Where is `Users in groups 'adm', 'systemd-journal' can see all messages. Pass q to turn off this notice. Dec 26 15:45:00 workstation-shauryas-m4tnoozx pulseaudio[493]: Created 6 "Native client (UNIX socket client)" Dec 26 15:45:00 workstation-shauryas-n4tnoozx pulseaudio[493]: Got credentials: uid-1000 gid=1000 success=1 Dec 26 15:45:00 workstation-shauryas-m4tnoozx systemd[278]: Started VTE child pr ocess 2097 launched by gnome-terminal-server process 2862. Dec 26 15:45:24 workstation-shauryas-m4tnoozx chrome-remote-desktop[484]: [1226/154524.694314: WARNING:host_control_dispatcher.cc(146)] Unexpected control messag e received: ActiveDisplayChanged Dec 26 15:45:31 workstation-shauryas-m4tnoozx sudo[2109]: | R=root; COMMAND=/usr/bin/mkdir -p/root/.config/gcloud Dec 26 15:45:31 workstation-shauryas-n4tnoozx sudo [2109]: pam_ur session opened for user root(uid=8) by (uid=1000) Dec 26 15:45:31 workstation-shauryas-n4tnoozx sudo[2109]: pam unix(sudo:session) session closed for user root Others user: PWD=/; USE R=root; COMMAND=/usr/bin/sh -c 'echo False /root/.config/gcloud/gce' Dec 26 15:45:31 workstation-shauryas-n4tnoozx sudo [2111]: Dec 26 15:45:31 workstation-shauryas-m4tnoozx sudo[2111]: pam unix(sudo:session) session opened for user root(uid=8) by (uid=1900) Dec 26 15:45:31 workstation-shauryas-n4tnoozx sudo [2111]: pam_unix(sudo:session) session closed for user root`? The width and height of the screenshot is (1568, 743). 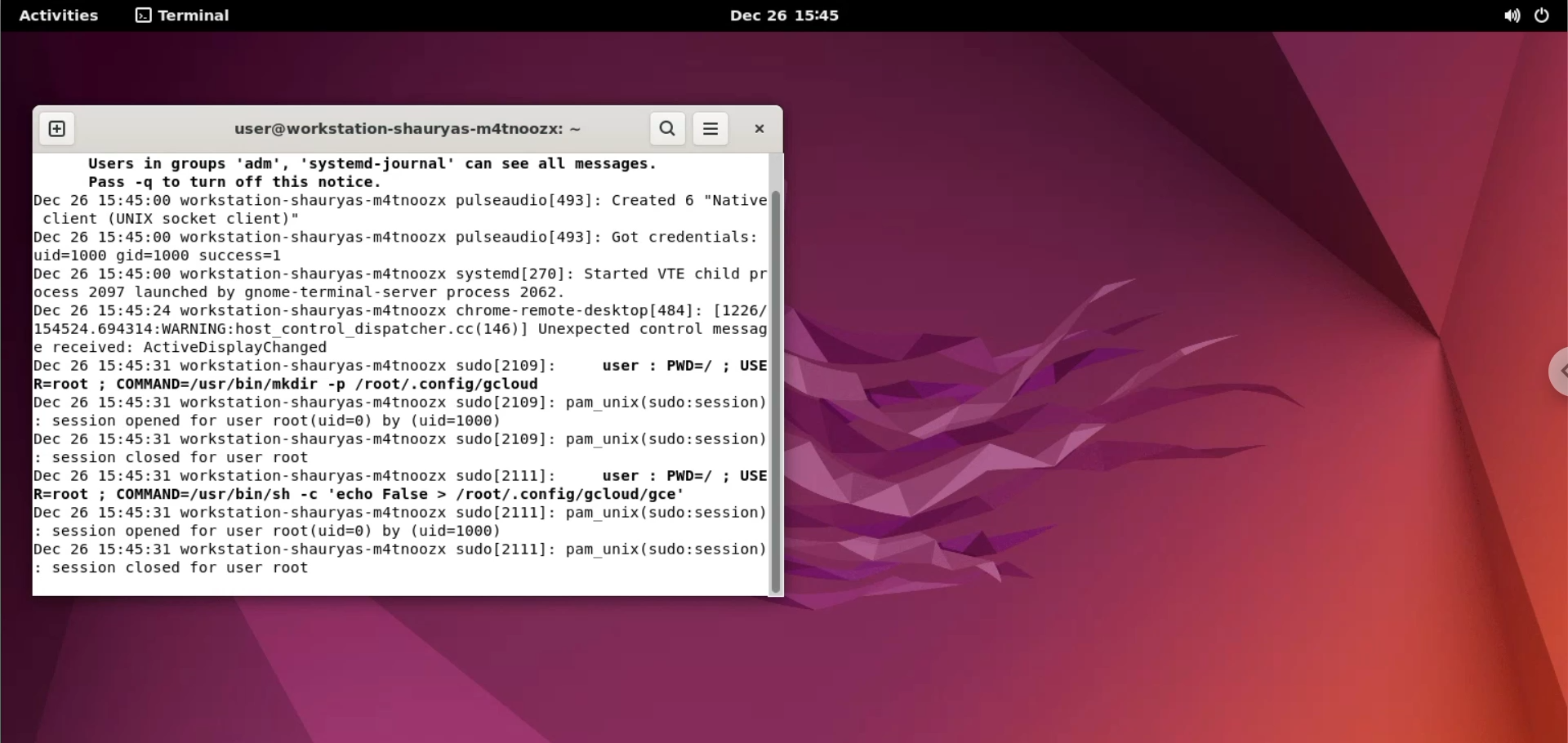 Users in groups 'adm', 'systemd-journal' can see all messages. Pass q to turn off this notice. Dec 26 15:45:00 workstation-shauryas-m4tnoozx pulseaudio[493]: Created 6 "Native client (UNIX socket client)" Dec 26 15:45:00 workstation-shauryas-n4tnoozx pulseaudio[493]: Got credentials: uid-1000 gid=1000 success=1 Dec 26 15:45:00 workstation-shauryas-m4tnoozx systemd[278]: Started VTE child pr ocess 2097 launched by gnome-terminal-server process 2862. Dec 26 15:45:24 workstation-shauryas-m4tnoozx chrome-remote-desktop[484]: [1226/154524.694314: WARNING:host_control_dispatcher.cc(146)] Unexpected control messag e received: ActiveDisplayChanged Dec 26 15:45:31 workstation-shauryas-m4tnoozx sudo[2109]: | R=root; COMMAND=/usr/bin/mkdir -p/root/.config/gcloud Dec 26 15:45:31 workstation-shauryas-n4tnoozx sudo [2109]: pam_ur session opened for user root(uid=8) by (uid=1000) Dec 26 15:45:31 workstation-shauryas-n4tnoozx sudo[2109]: pam unix(sudo:session) session closed for user root Others user: PWD=/; USE R=root; COMMAND=/usr/bin/sh -c 'echo False /root/.config/gcloud/gce' Dec 26 15:45:31 workstation-shauryas-n4tnoozx sudo [2111]: Dec 26 15:45:31 workstation-shauryas-m4tnoozx sudo[2111]: pam unix(sudo:session) session opened for user root(uid=8) by (uid=1900) Dec 26 15:45:31 workstation-shauryas-n4tnoozx sudo [2111]: pam_unix(sudo:session) session closed for user root is located at coordinates (399, 369).